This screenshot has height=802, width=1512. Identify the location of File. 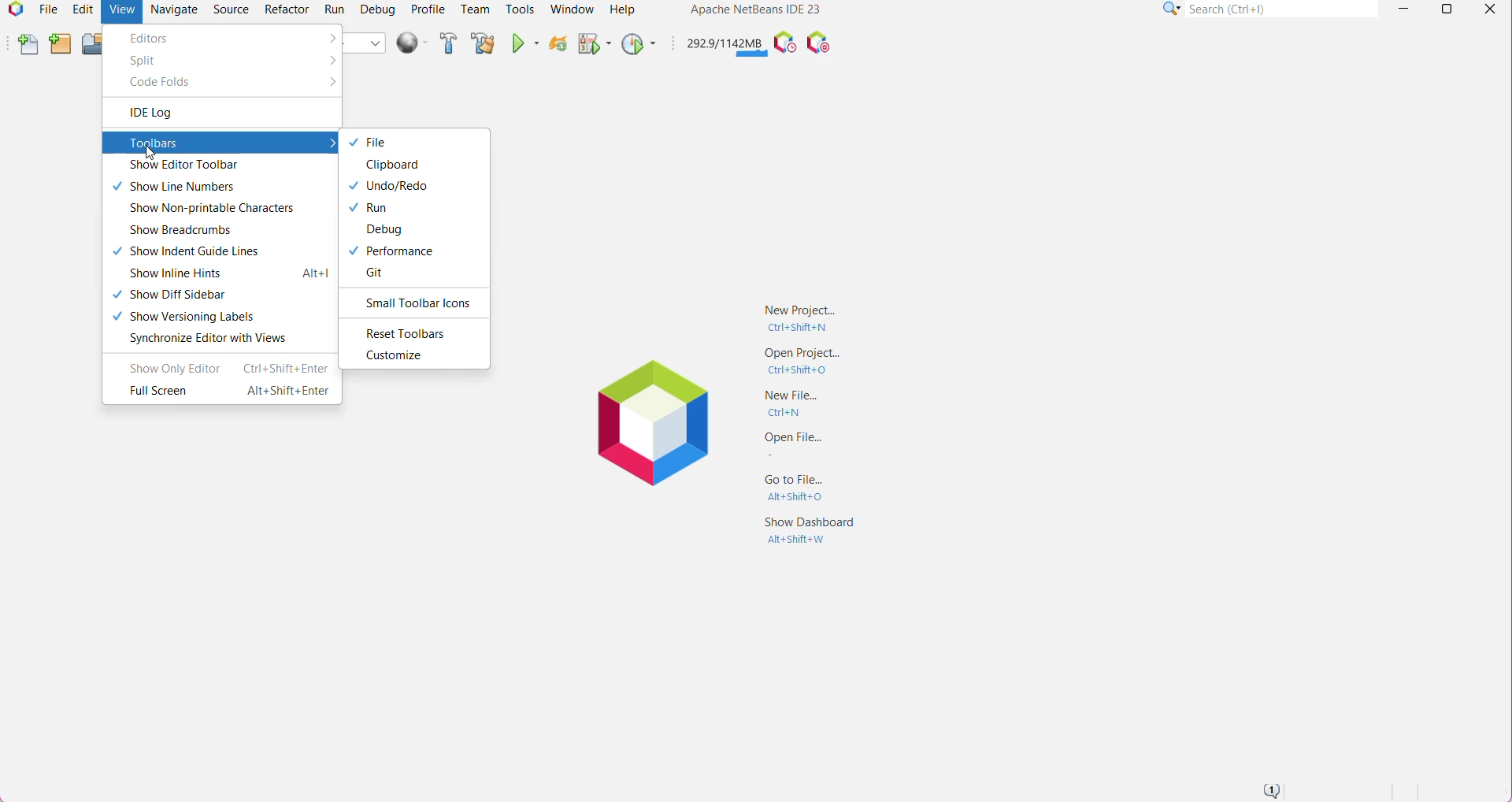
(47, 11).